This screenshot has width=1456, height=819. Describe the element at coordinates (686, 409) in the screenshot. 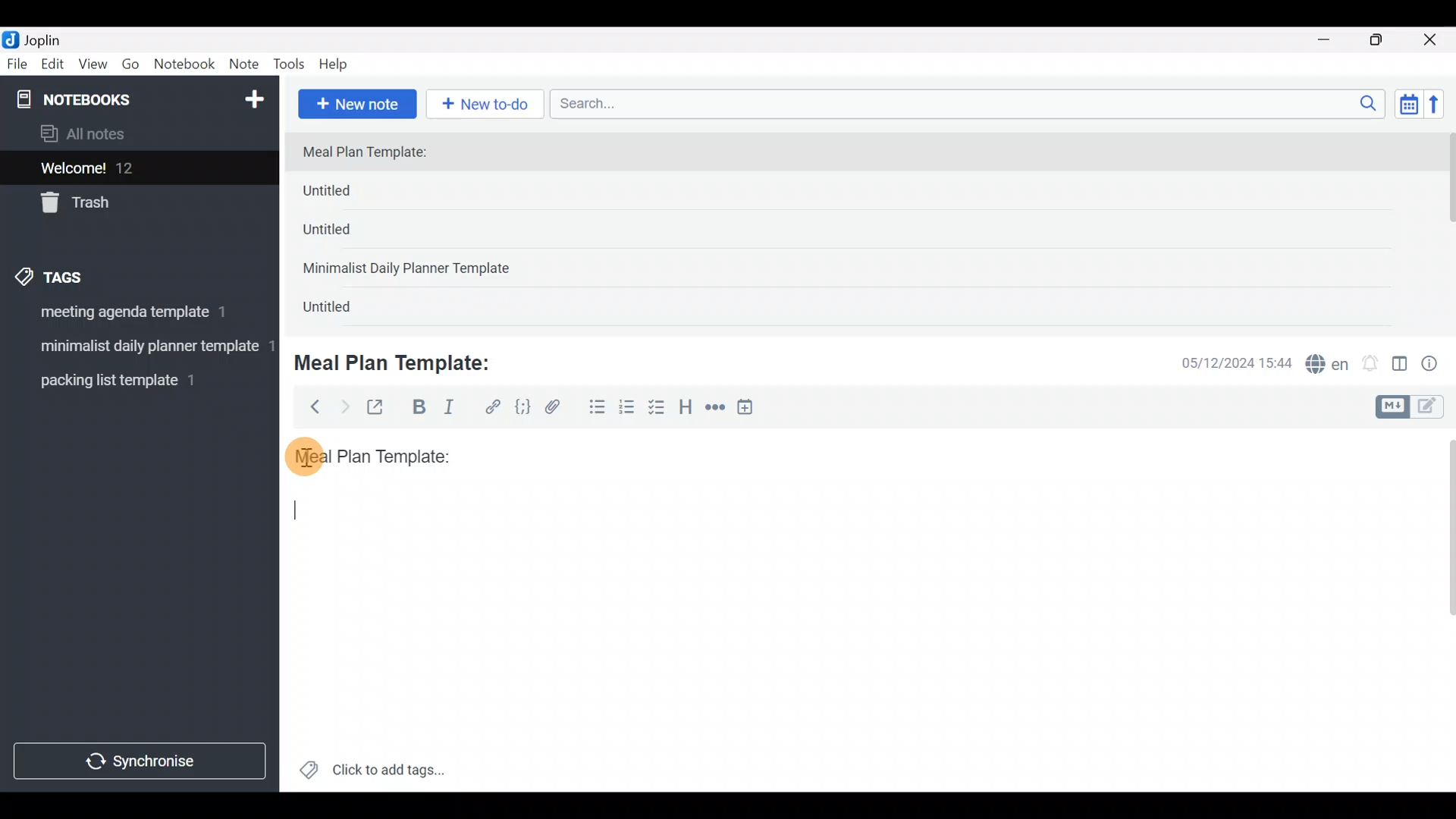

I see `Heading` at that location.